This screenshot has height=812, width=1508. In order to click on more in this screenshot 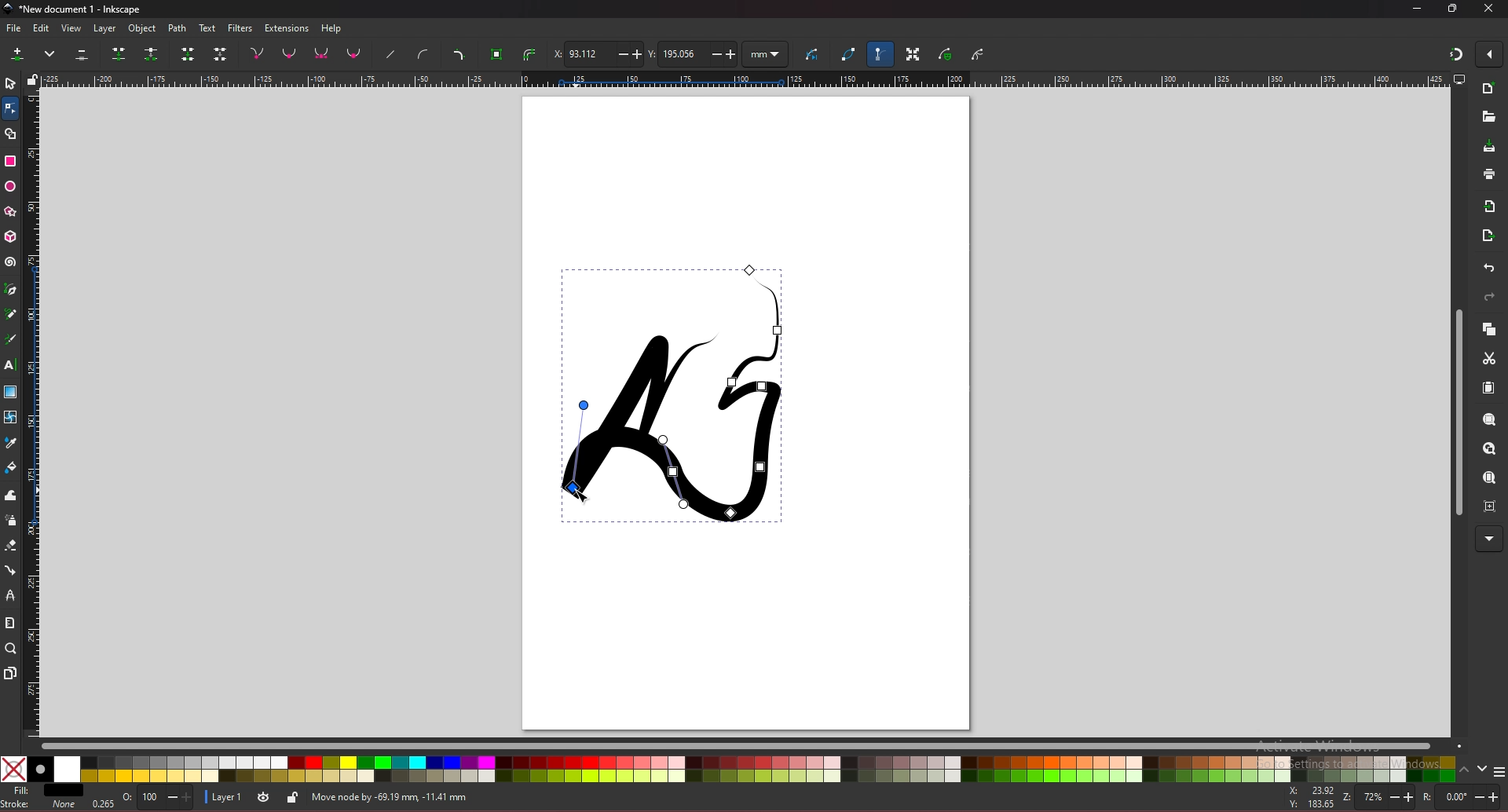, I will do `click(51, 53)`.